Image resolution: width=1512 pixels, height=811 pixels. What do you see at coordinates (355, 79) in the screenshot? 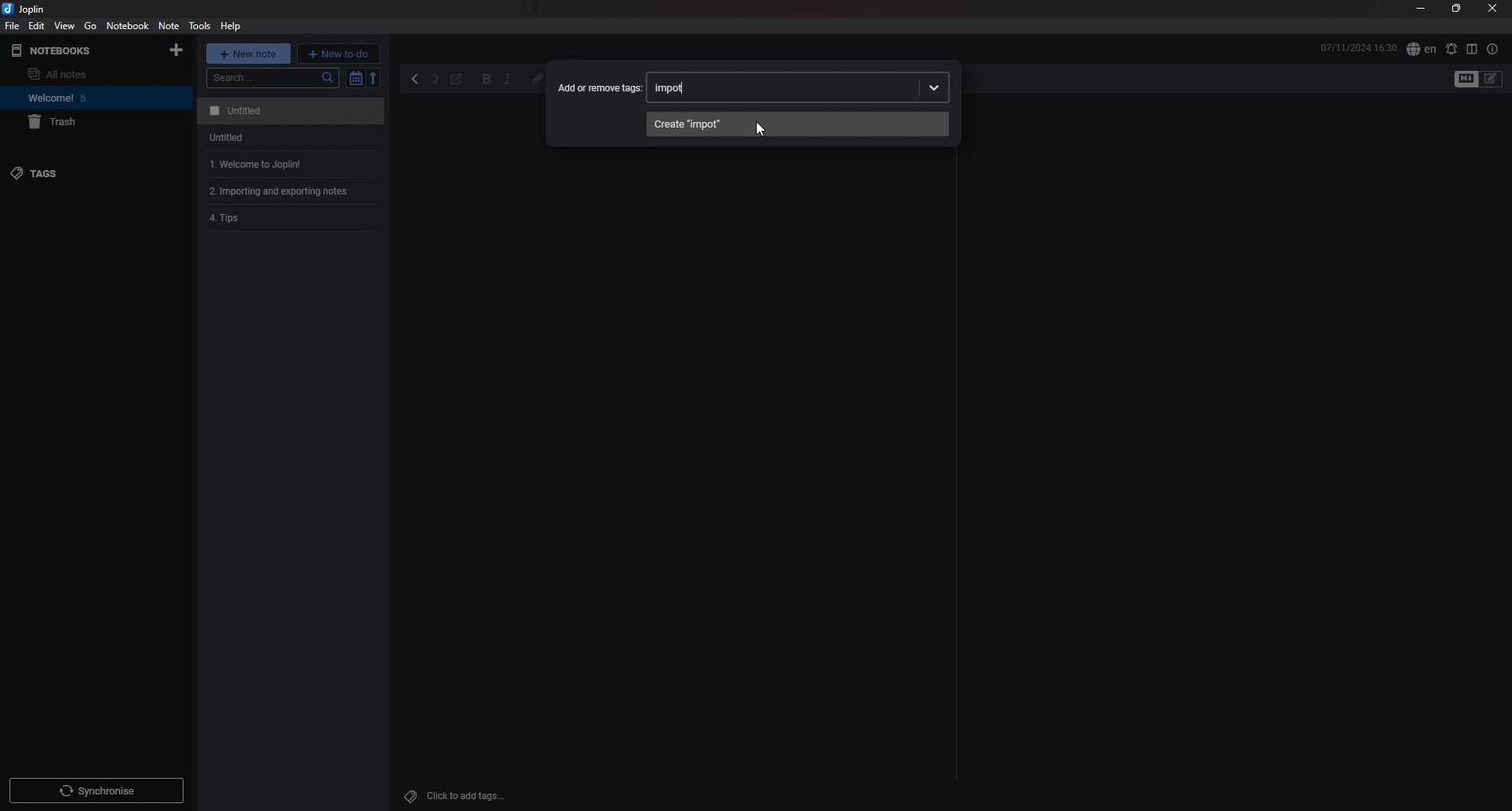
I see `toggle sort order` at bounding box center [355, 79].